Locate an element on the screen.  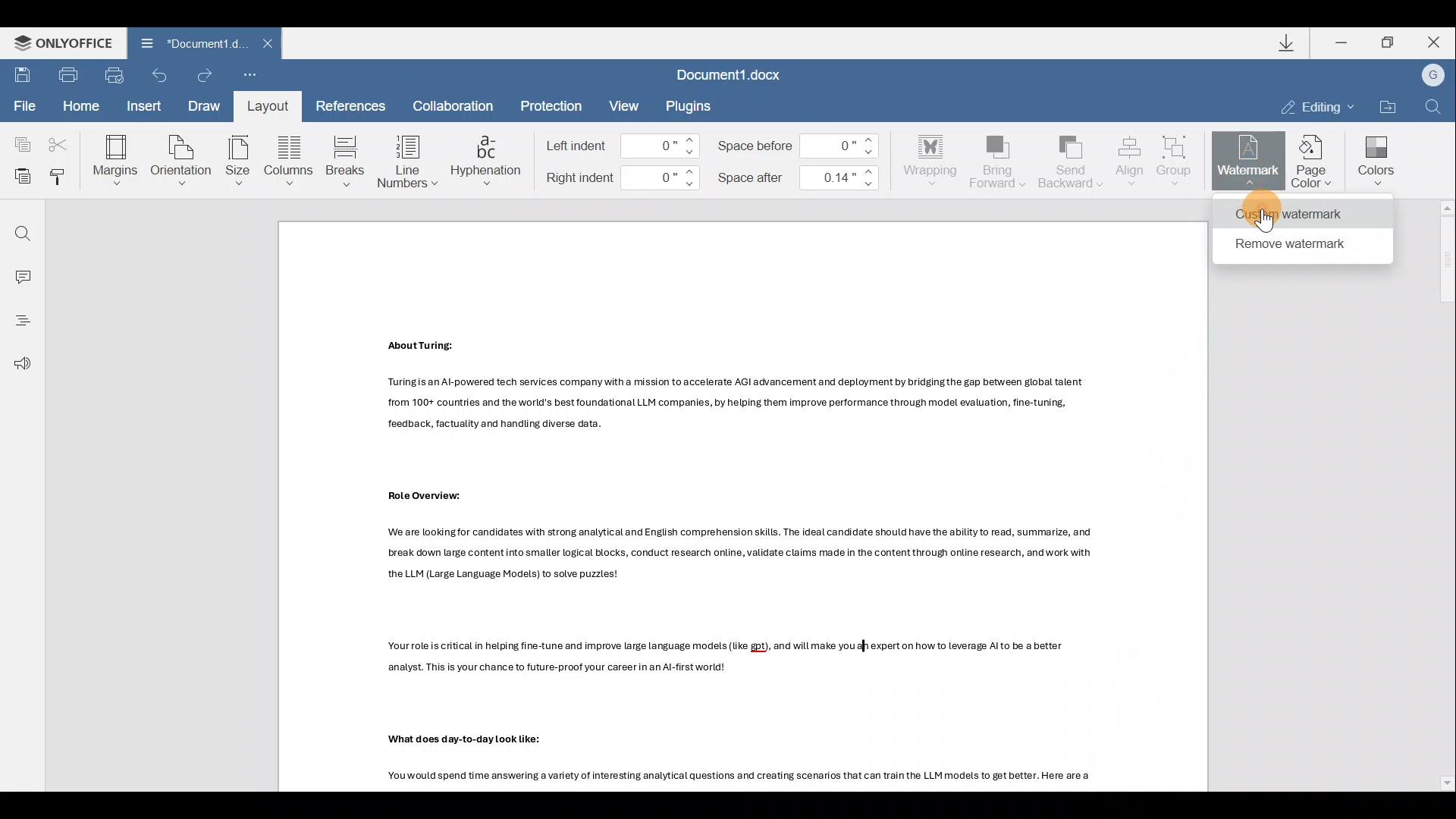
References is located at coordinates (349, 105).